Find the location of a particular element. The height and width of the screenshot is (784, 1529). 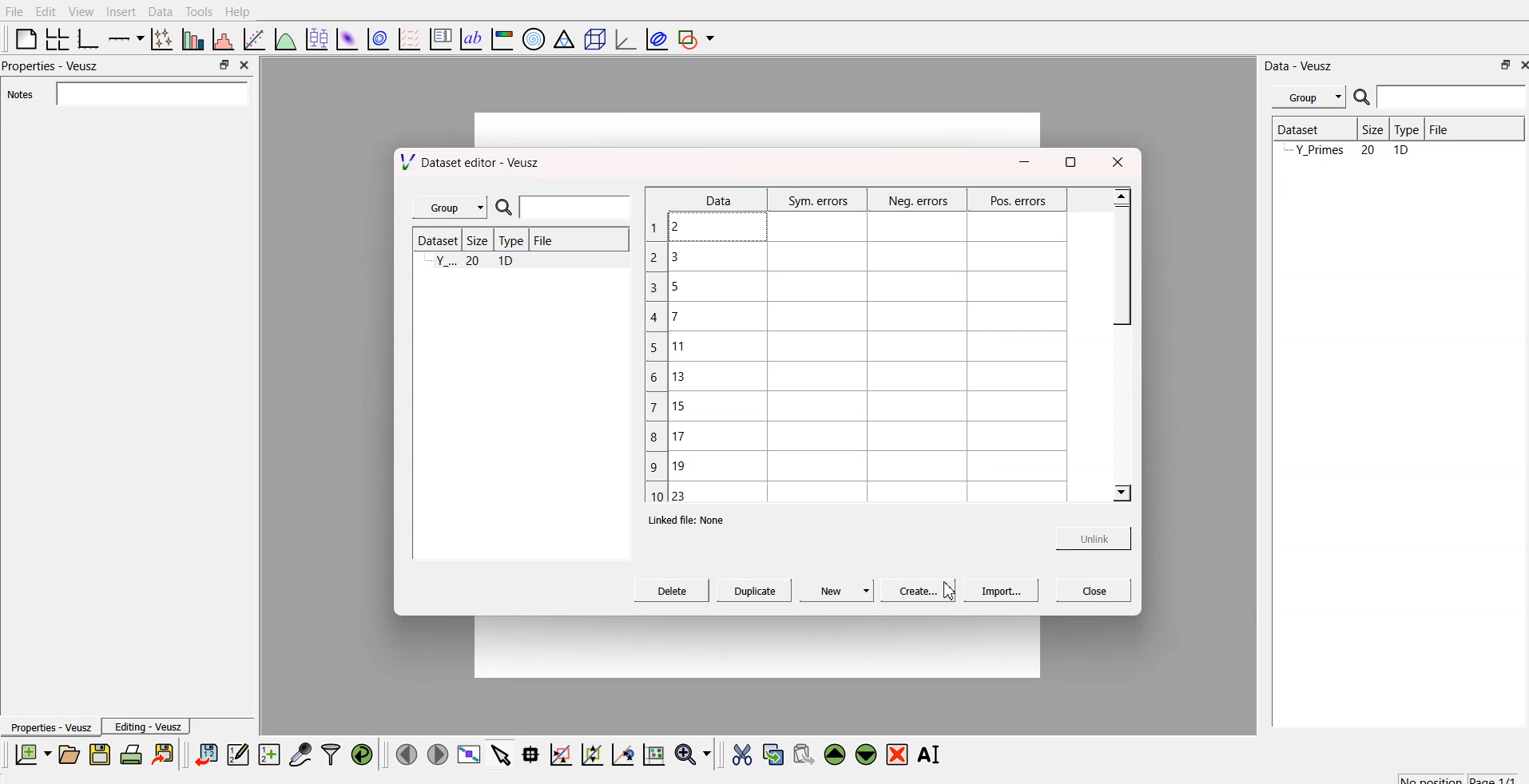

remove the selected widget is located at coordinates (900, 754).